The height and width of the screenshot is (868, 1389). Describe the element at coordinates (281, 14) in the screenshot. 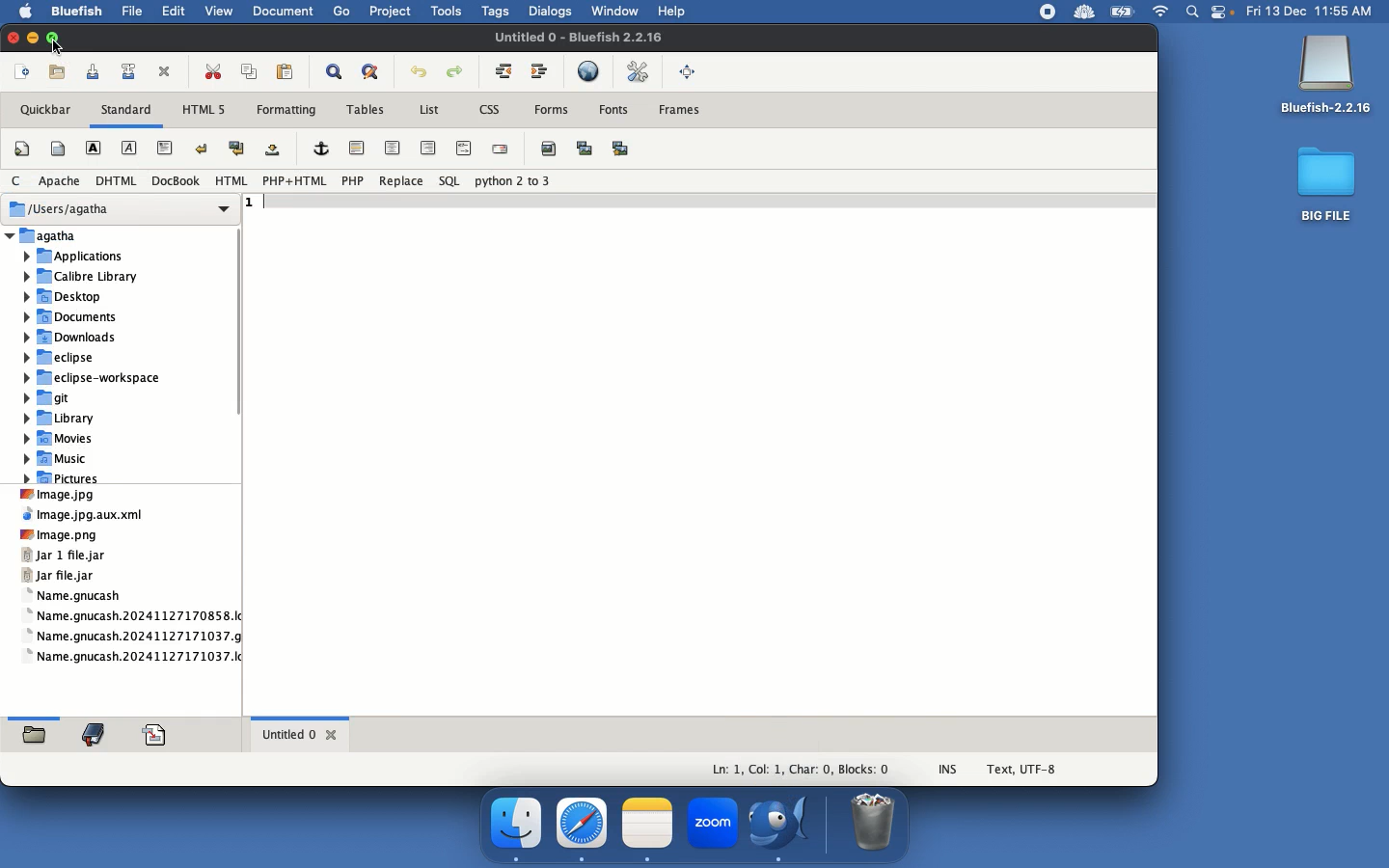

I see `documents` at that location.